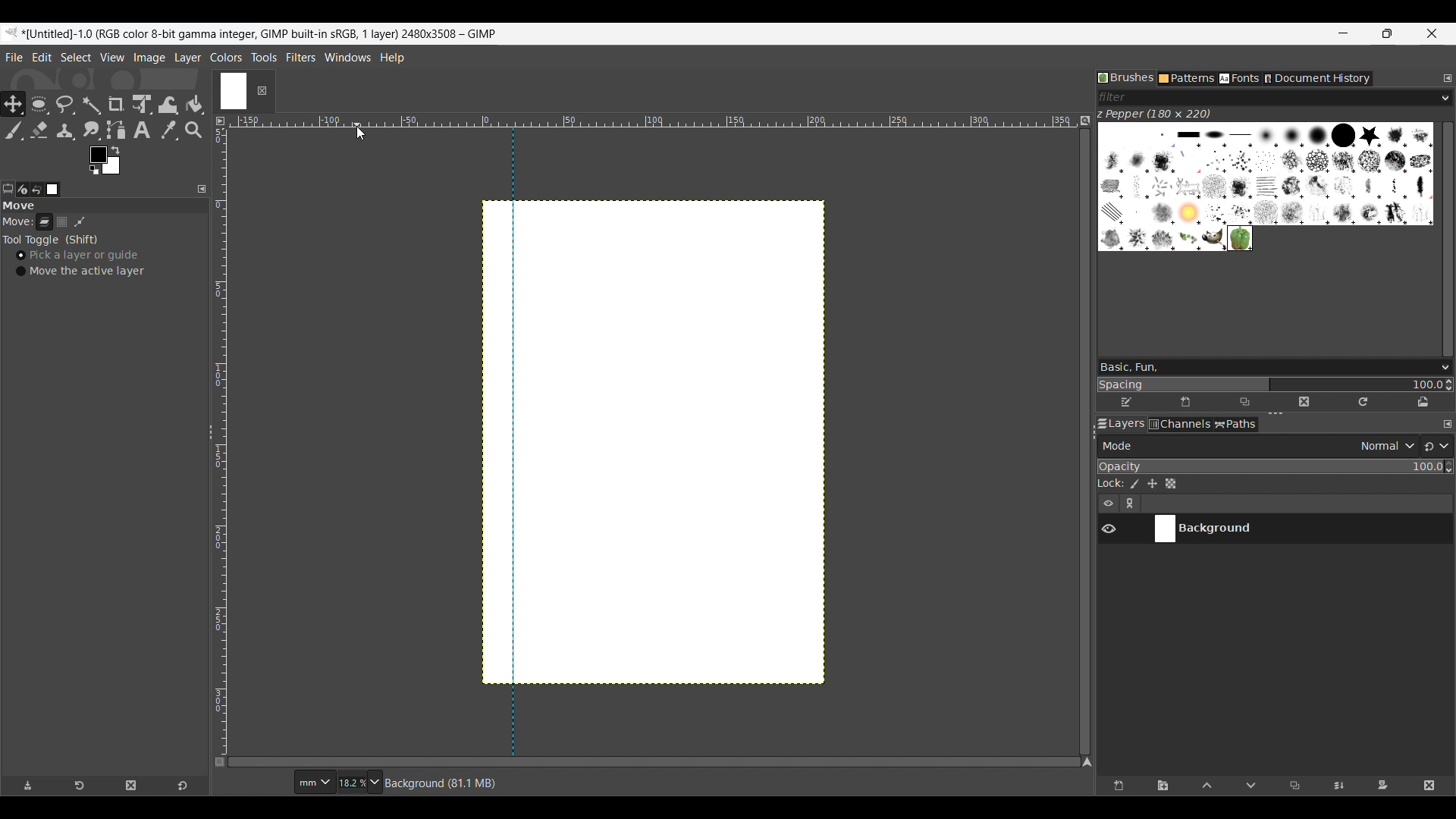 This screenshot has width=1456, height=819. Describe the element at coordinates (1262, 367) in the screenshot. I see `Type in brush` at that location.